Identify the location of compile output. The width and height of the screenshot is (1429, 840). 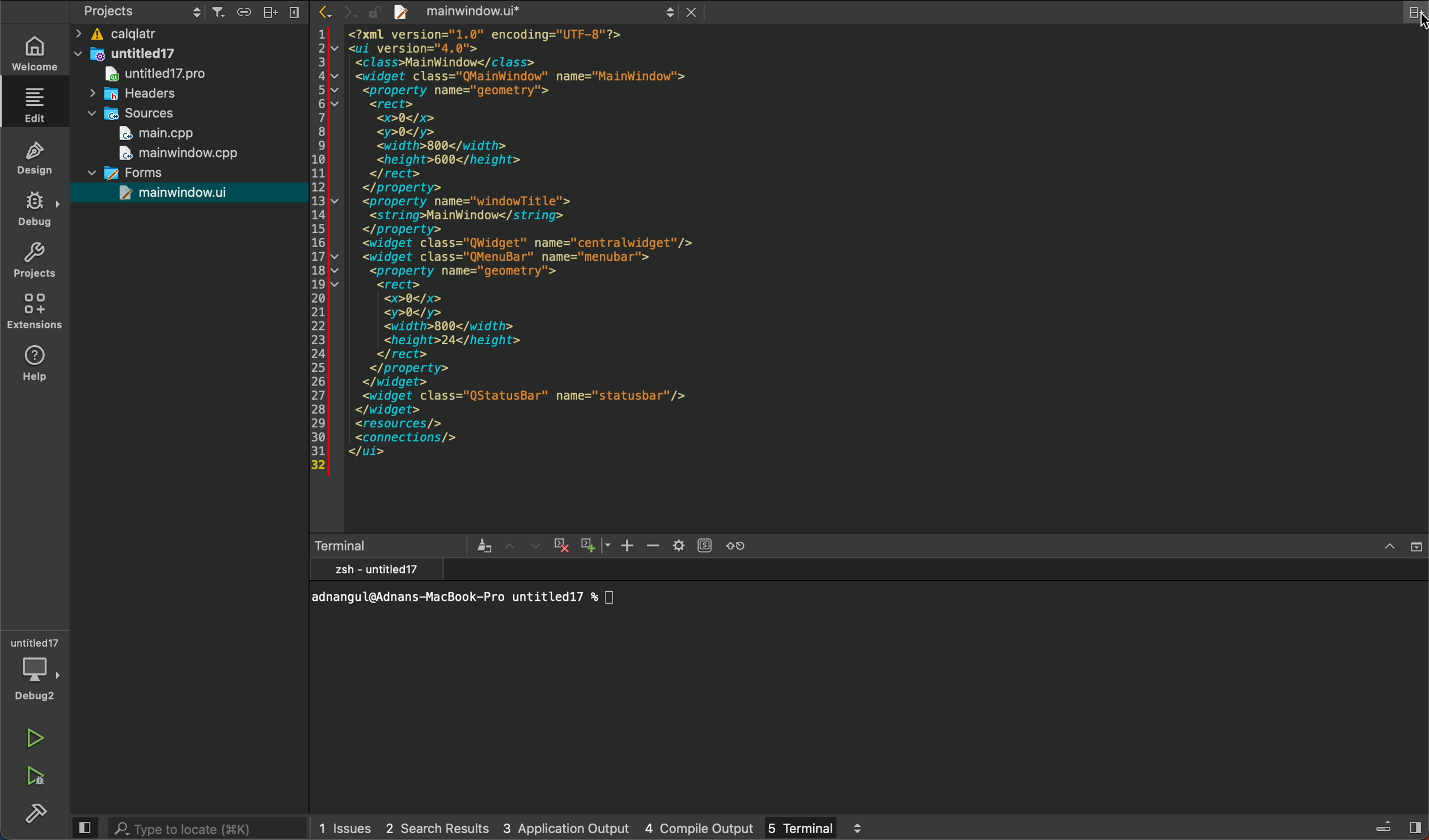
(701, 826).